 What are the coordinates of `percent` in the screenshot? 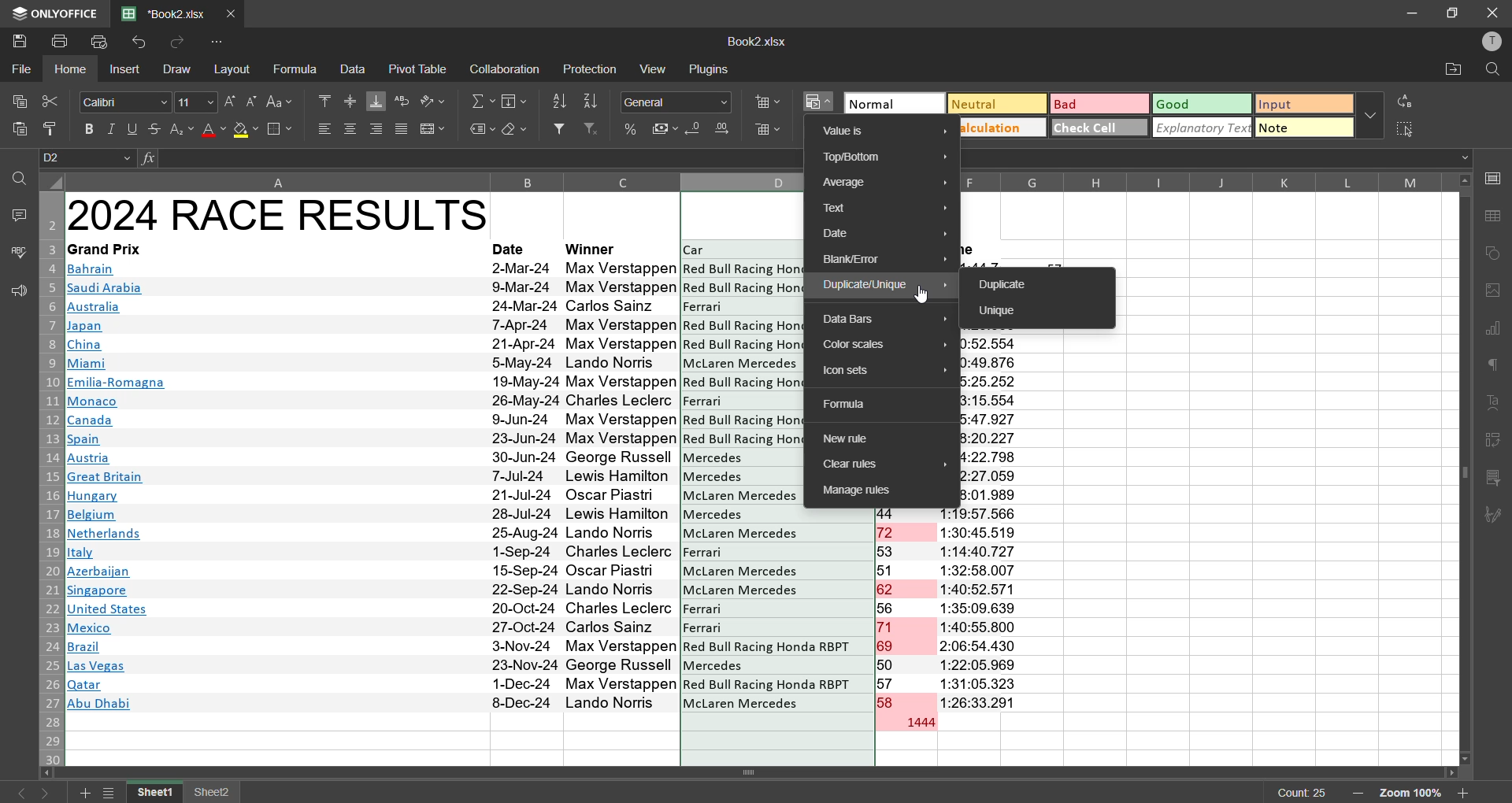 It's located at (632, 130).